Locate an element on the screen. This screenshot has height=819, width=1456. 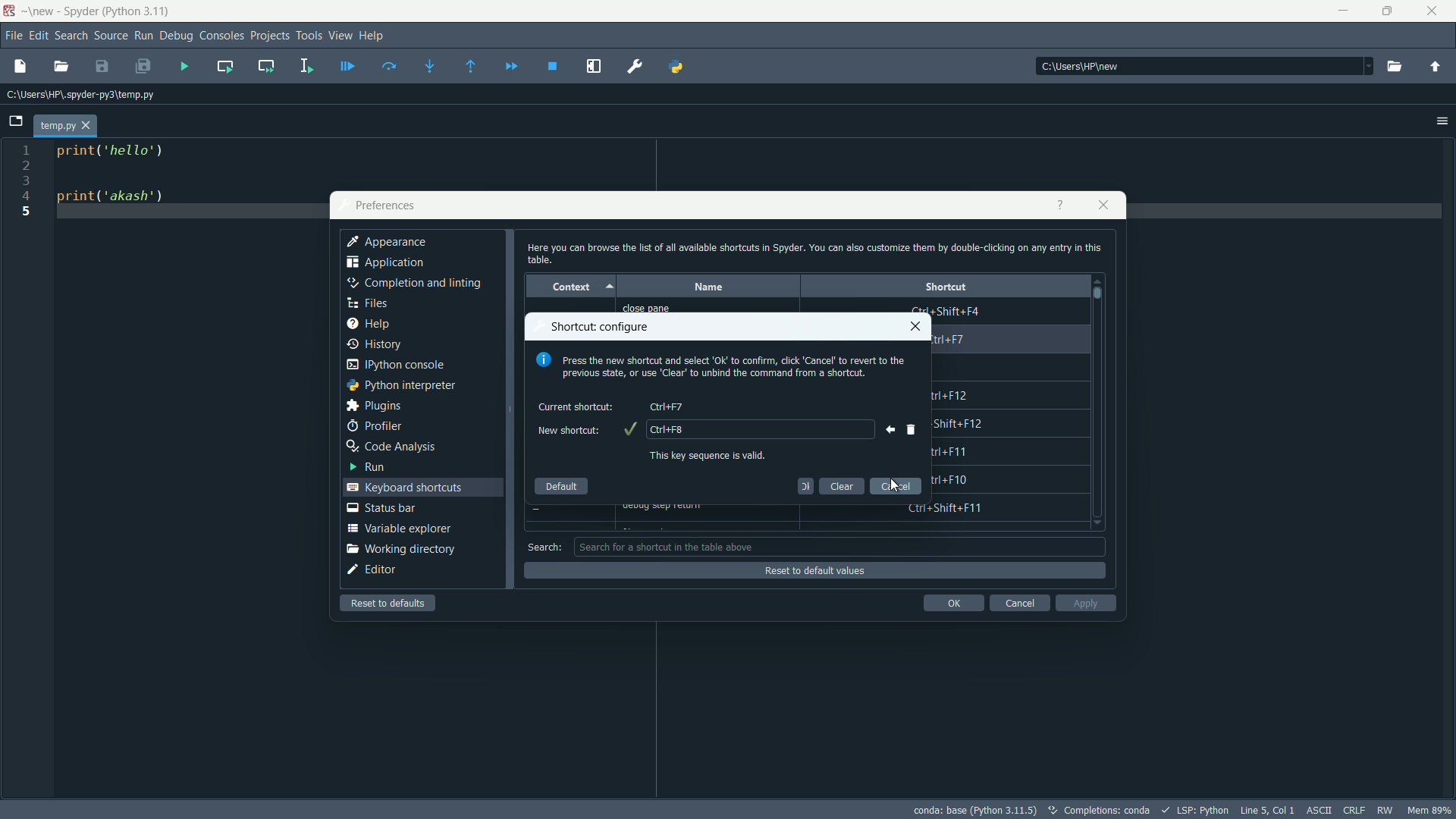
tick is located at coordinates (629, 429).